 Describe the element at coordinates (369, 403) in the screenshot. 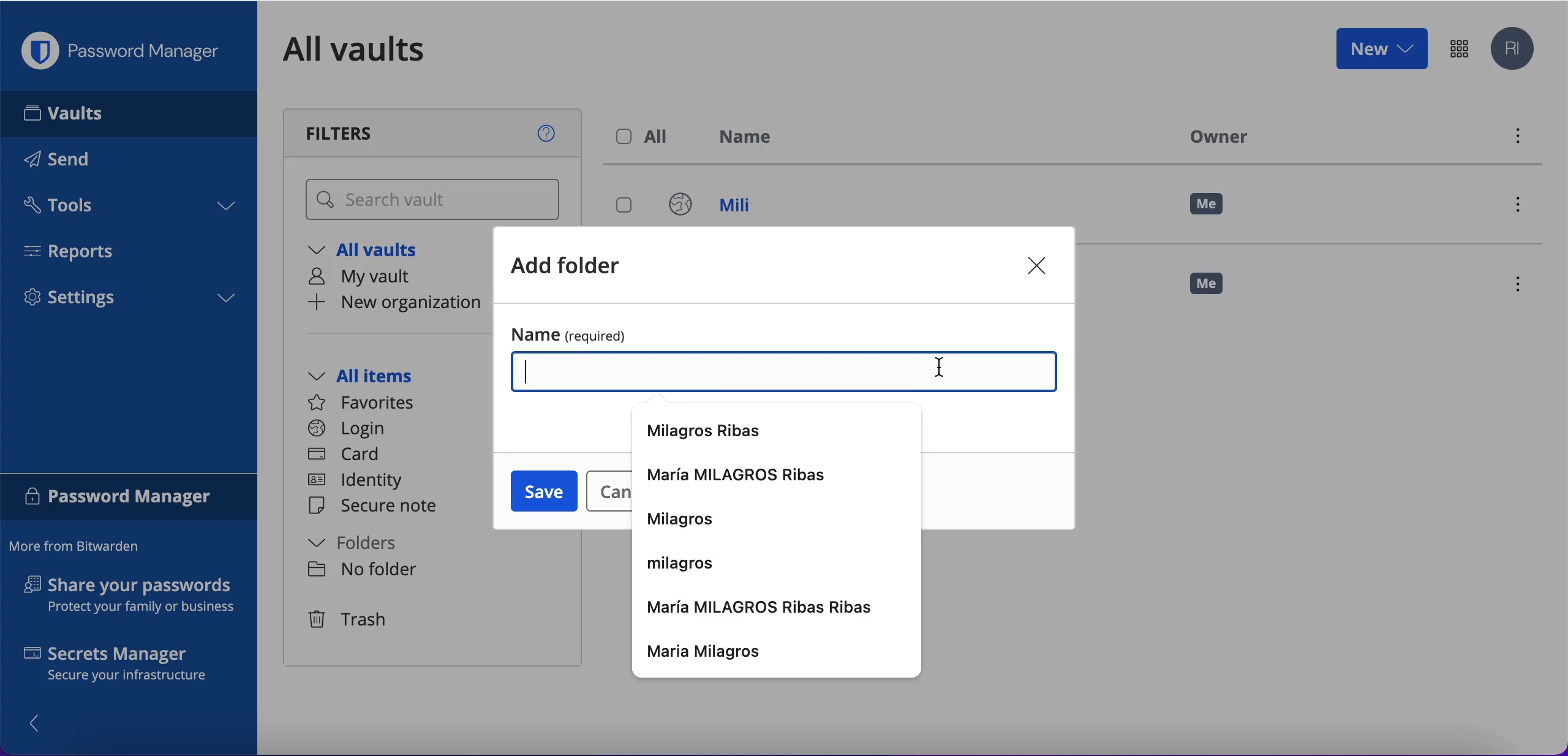

I see `favorites` at that location.